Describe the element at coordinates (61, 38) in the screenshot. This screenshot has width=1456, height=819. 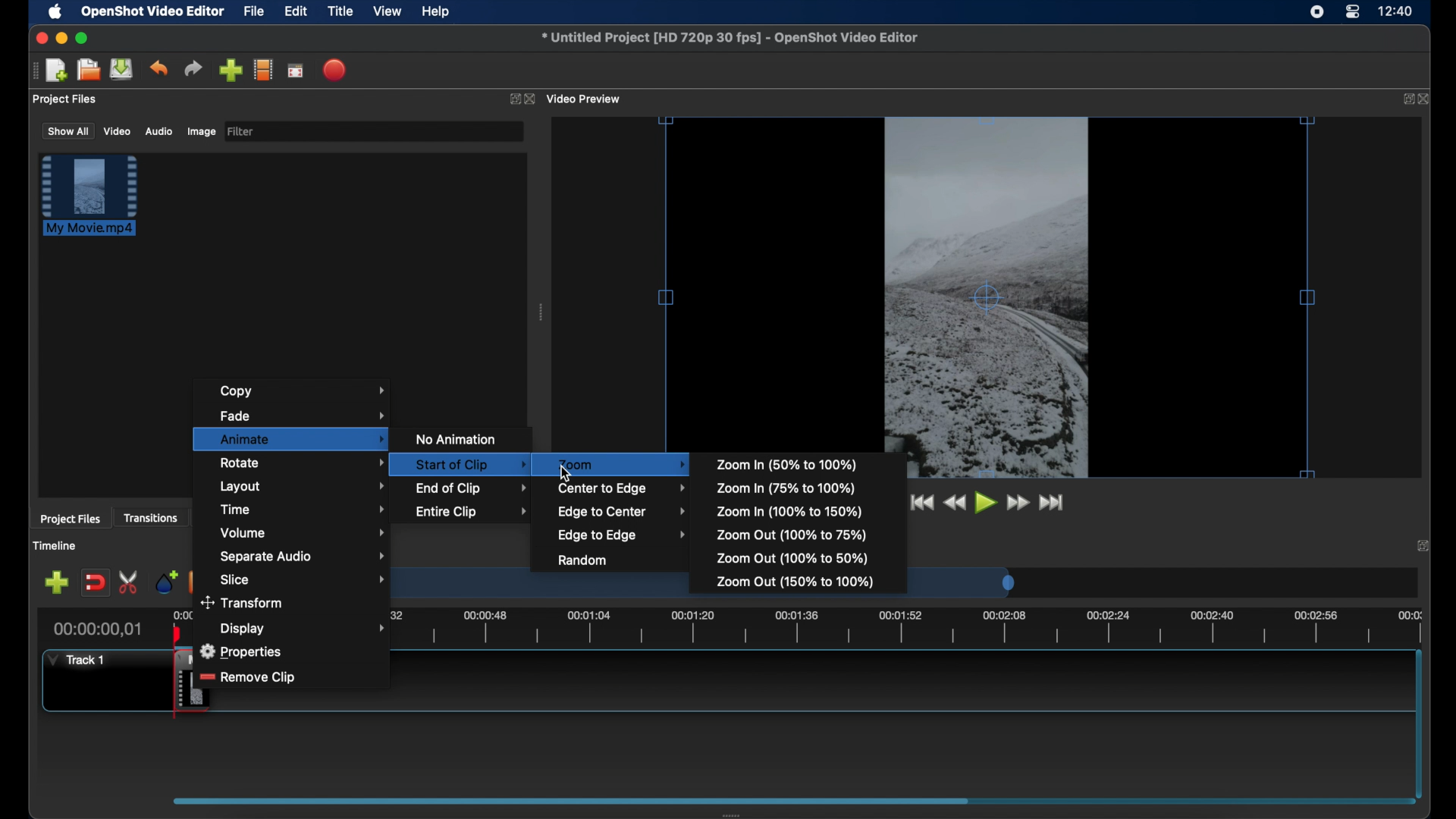
I see `minimize` at that location.